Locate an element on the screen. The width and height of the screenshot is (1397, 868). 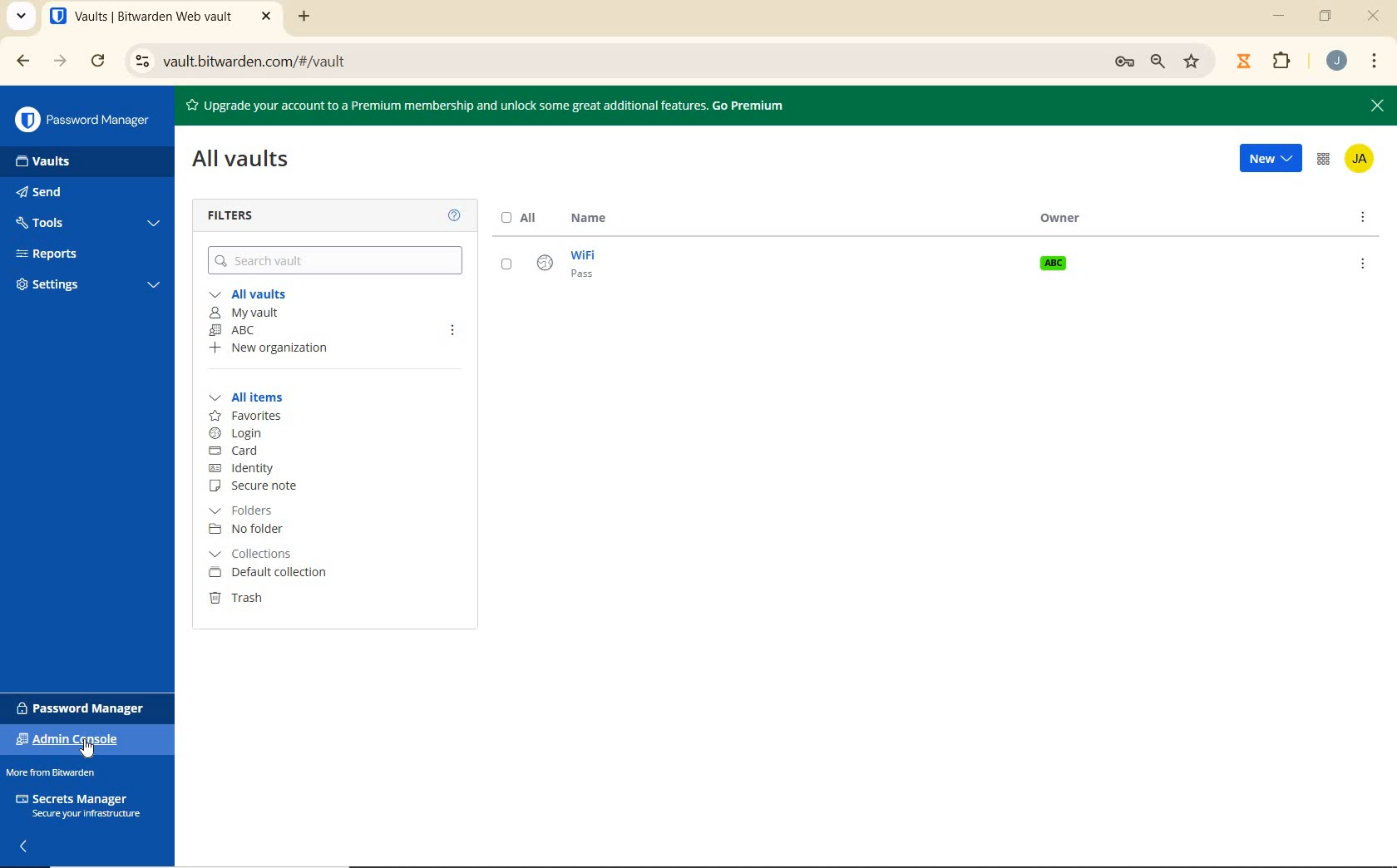
RESTORE DOWN is located at coordinates (1327, 19).